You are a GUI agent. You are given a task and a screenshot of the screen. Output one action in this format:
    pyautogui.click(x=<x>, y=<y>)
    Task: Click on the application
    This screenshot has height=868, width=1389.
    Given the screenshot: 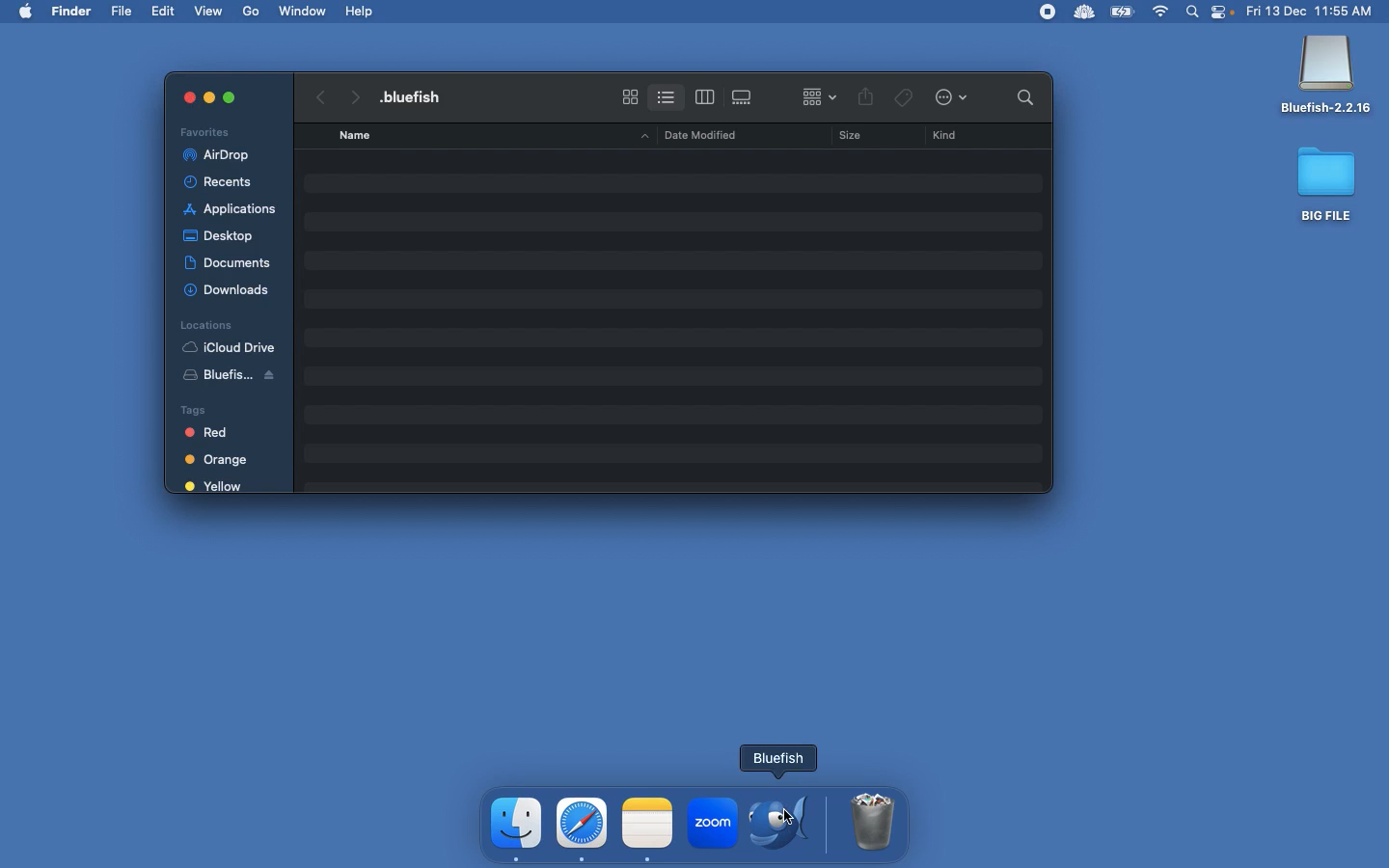 What is the action you would take?
    pyautogui.click(x=231, y=209)
    